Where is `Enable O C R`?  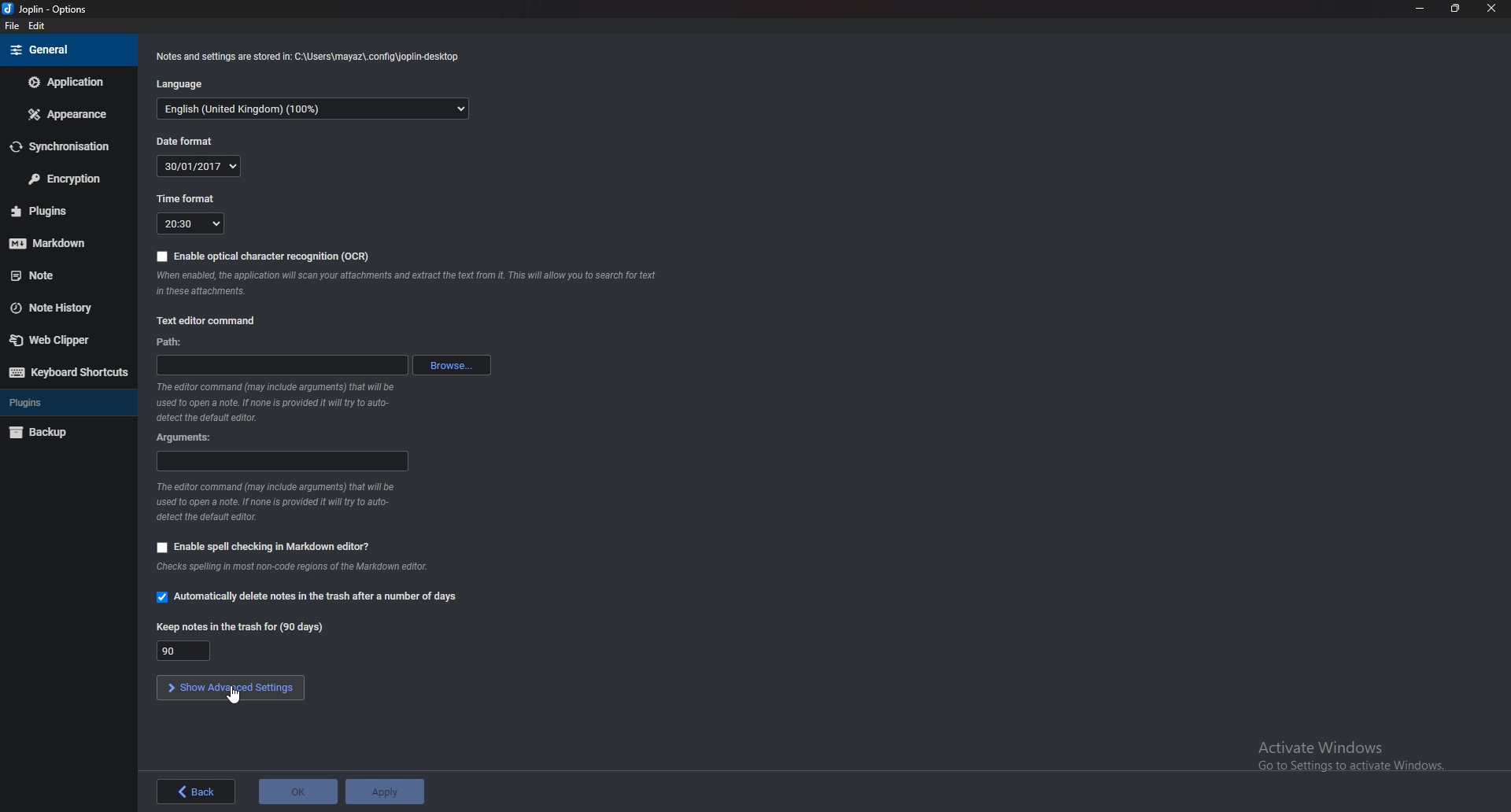
Enable O C R is located at coordinates (264, 257).